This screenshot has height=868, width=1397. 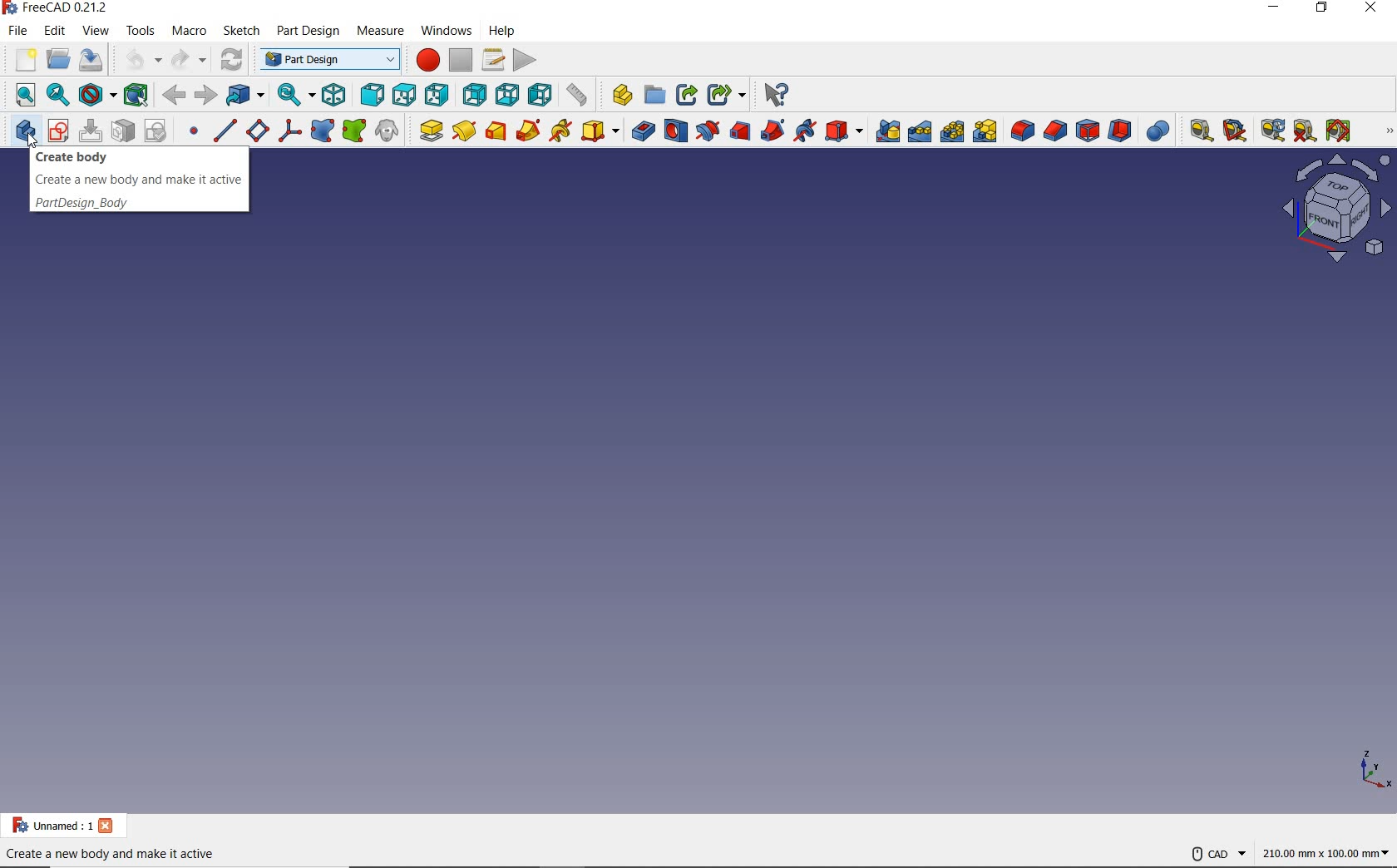 What do you see at coordinates (1023, 131) in the screenshot?
I see `FILLET` at bounding box center [1023, 131].